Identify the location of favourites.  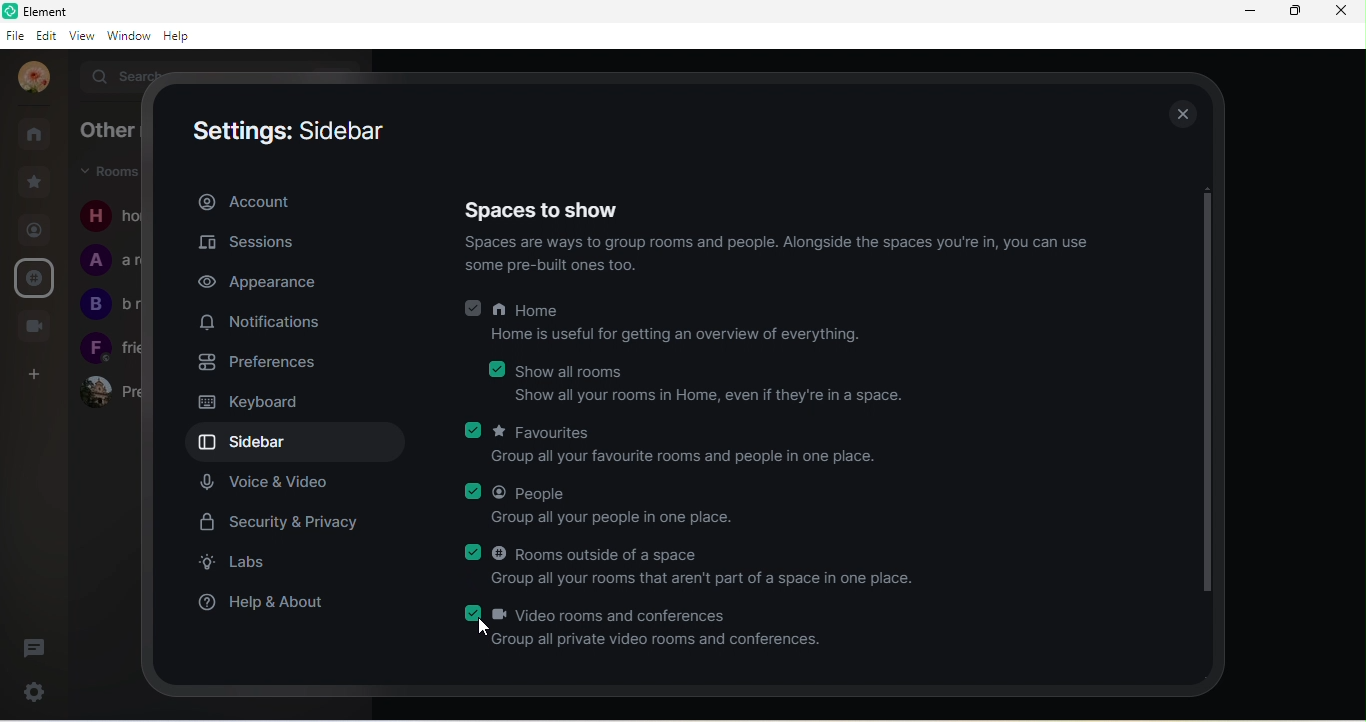
(676, 446).